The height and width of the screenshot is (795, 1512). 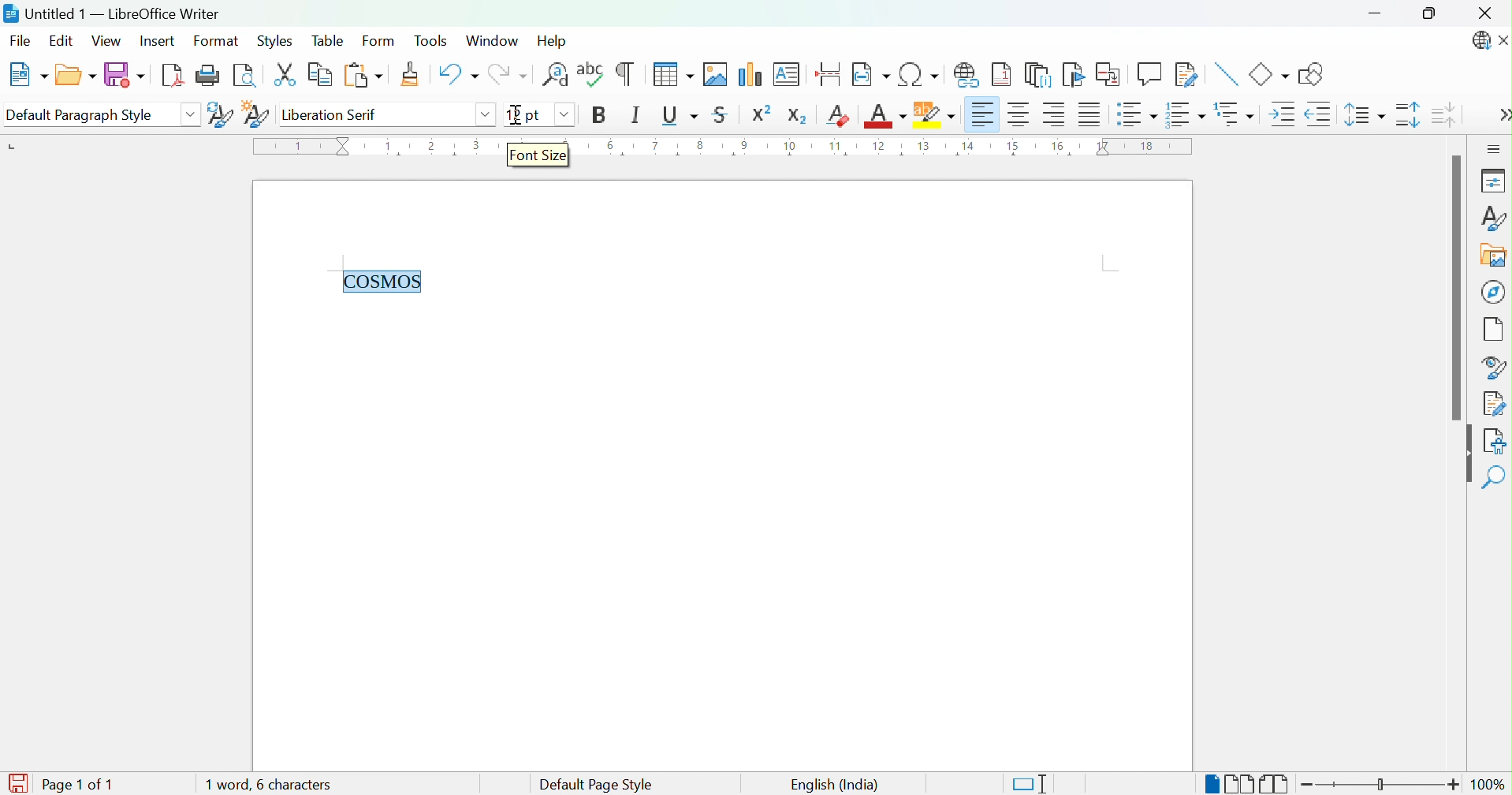 I want to click on Insert Footnote, so click(x=1002, y=75).